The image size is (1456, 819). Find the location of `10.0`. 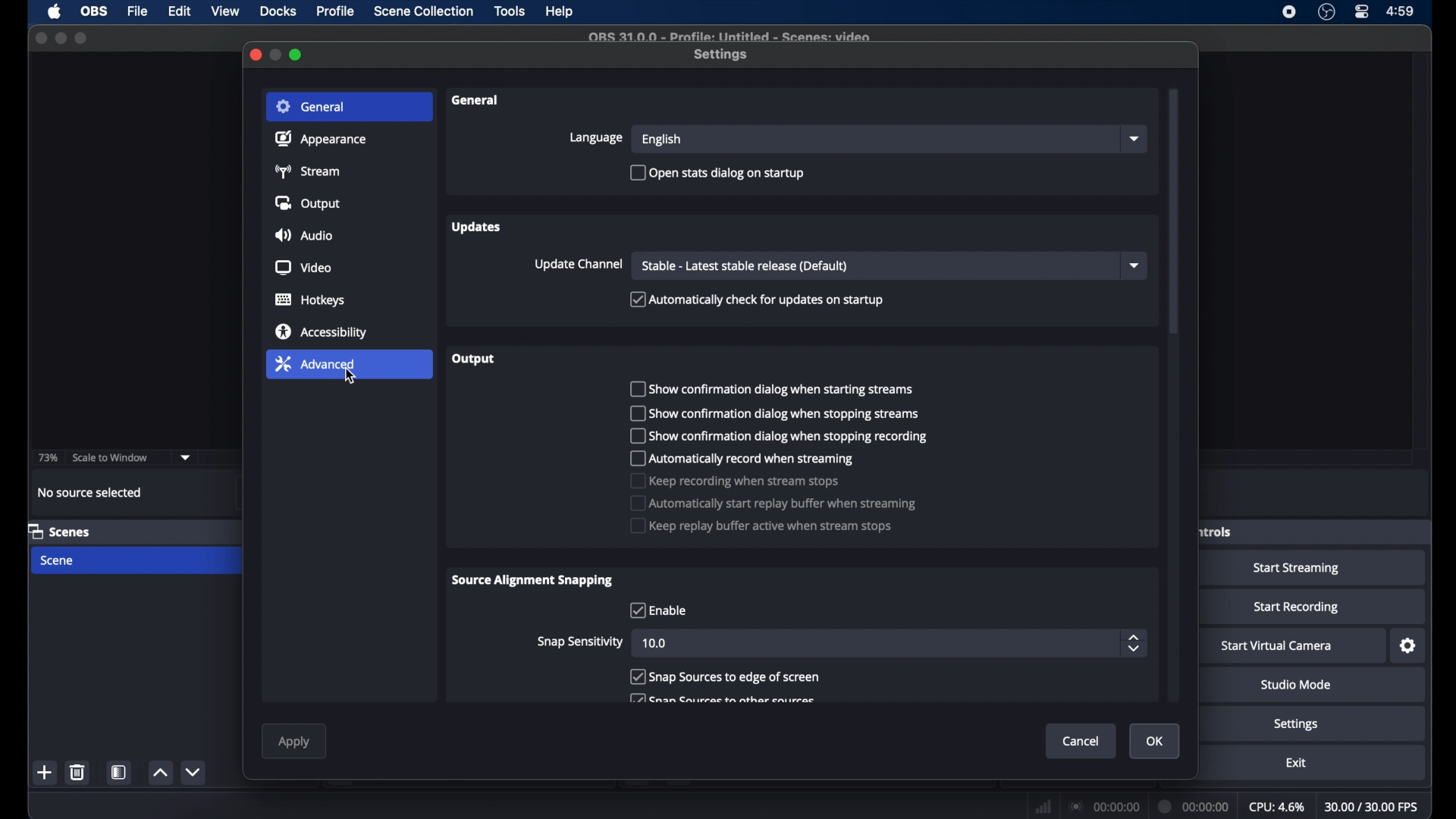

10.0 is located at coordinates (655, 643).